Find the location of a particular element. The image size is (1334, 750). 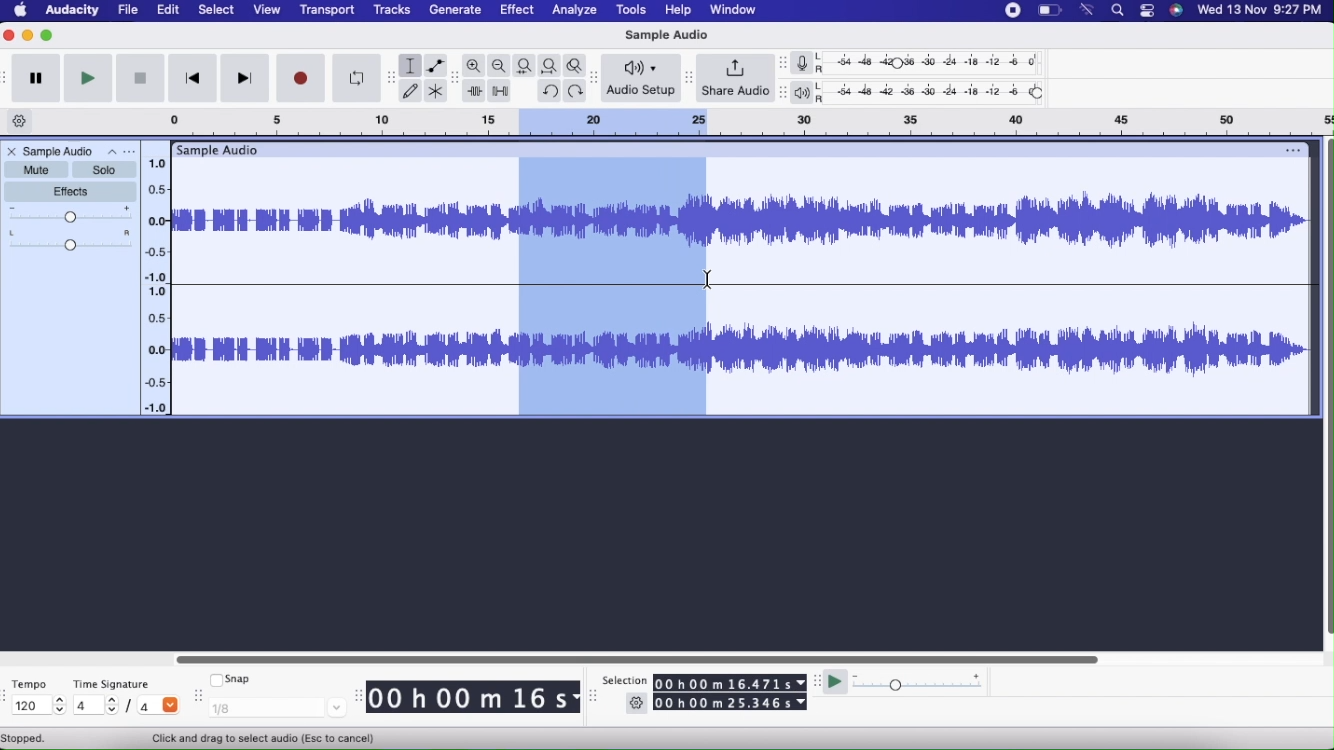

generate is located at coordinates (454, 10).